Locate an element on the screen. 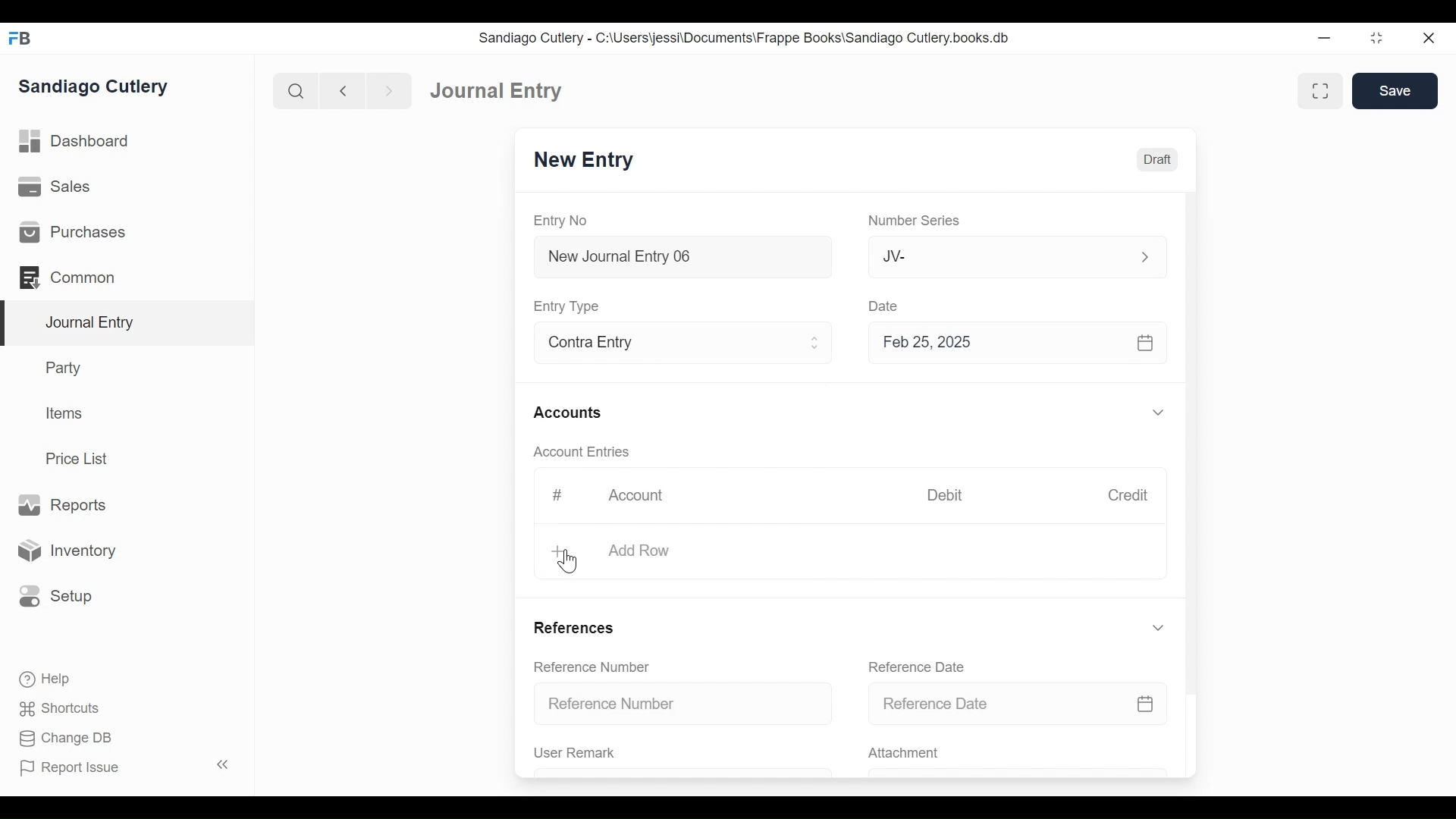  Setup is located at coordinates (52, 595).